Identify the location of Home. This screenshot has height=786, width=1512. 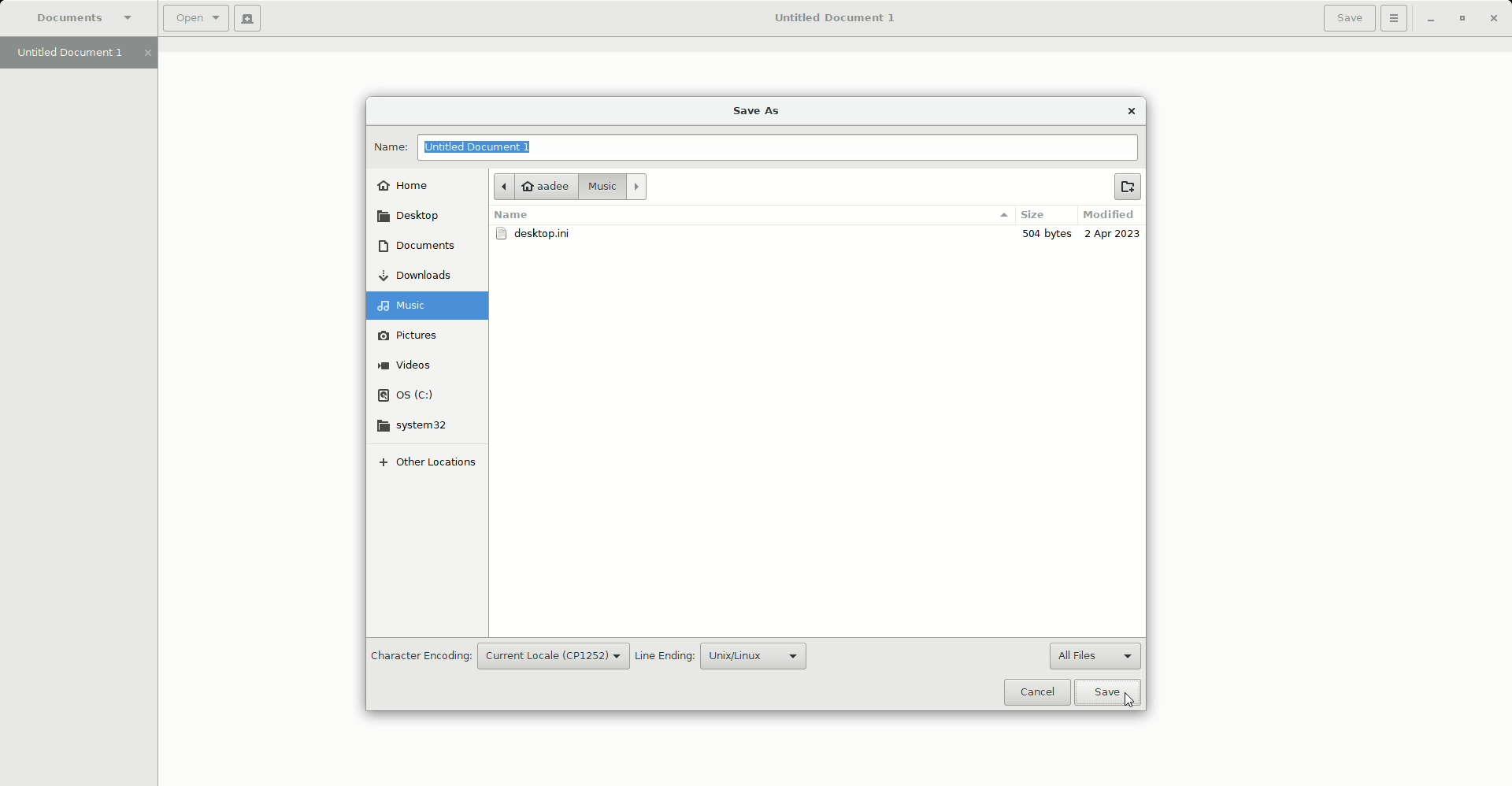
(406, 187).